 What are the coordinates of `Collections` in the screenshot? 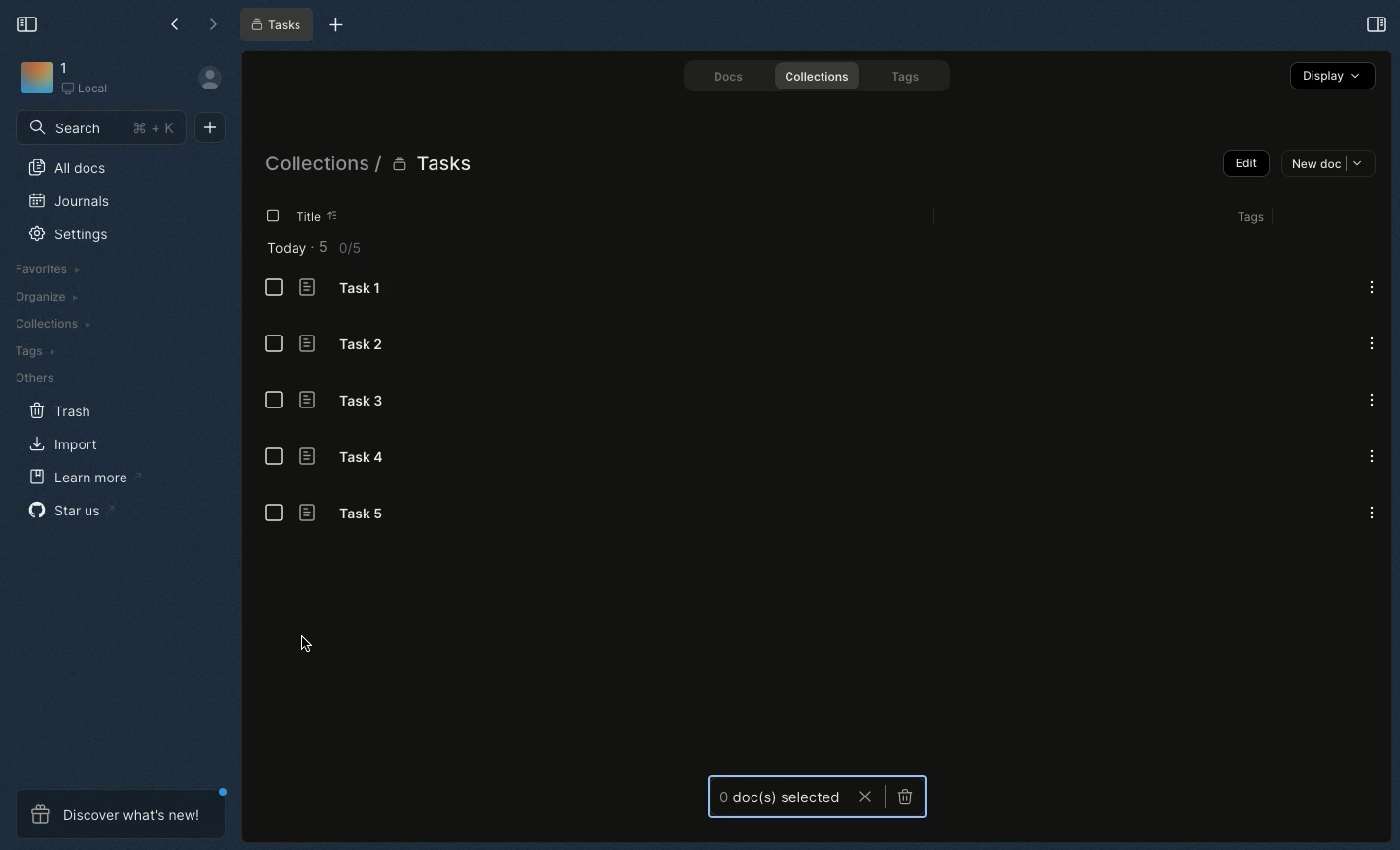 It's located at (317, 166).